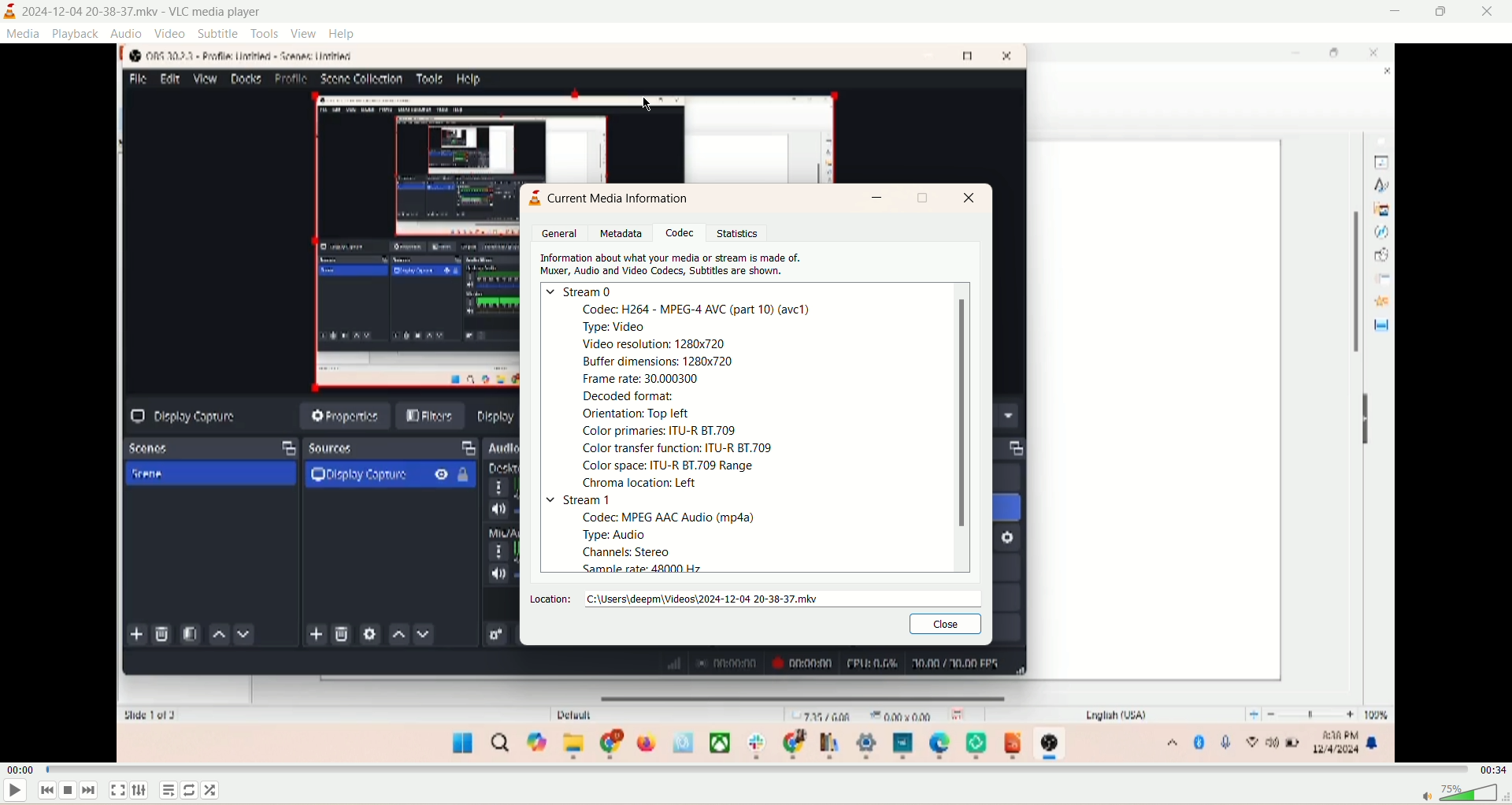  I want to click on minimize, so click(1395, 12).